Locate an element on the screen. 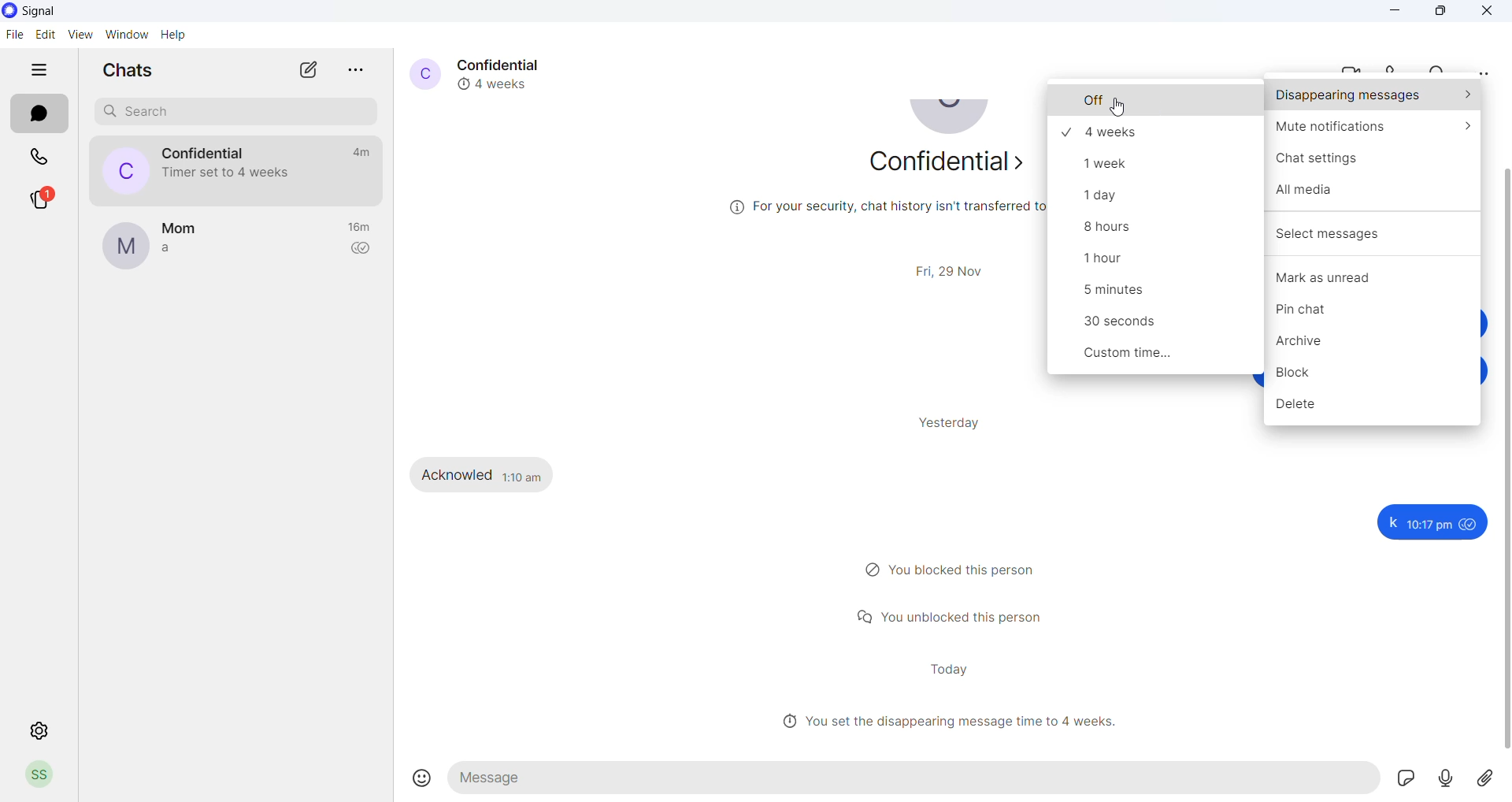 This screenshot has width=1512, height=802. mark as unread is located at coordinates (1373, 279).